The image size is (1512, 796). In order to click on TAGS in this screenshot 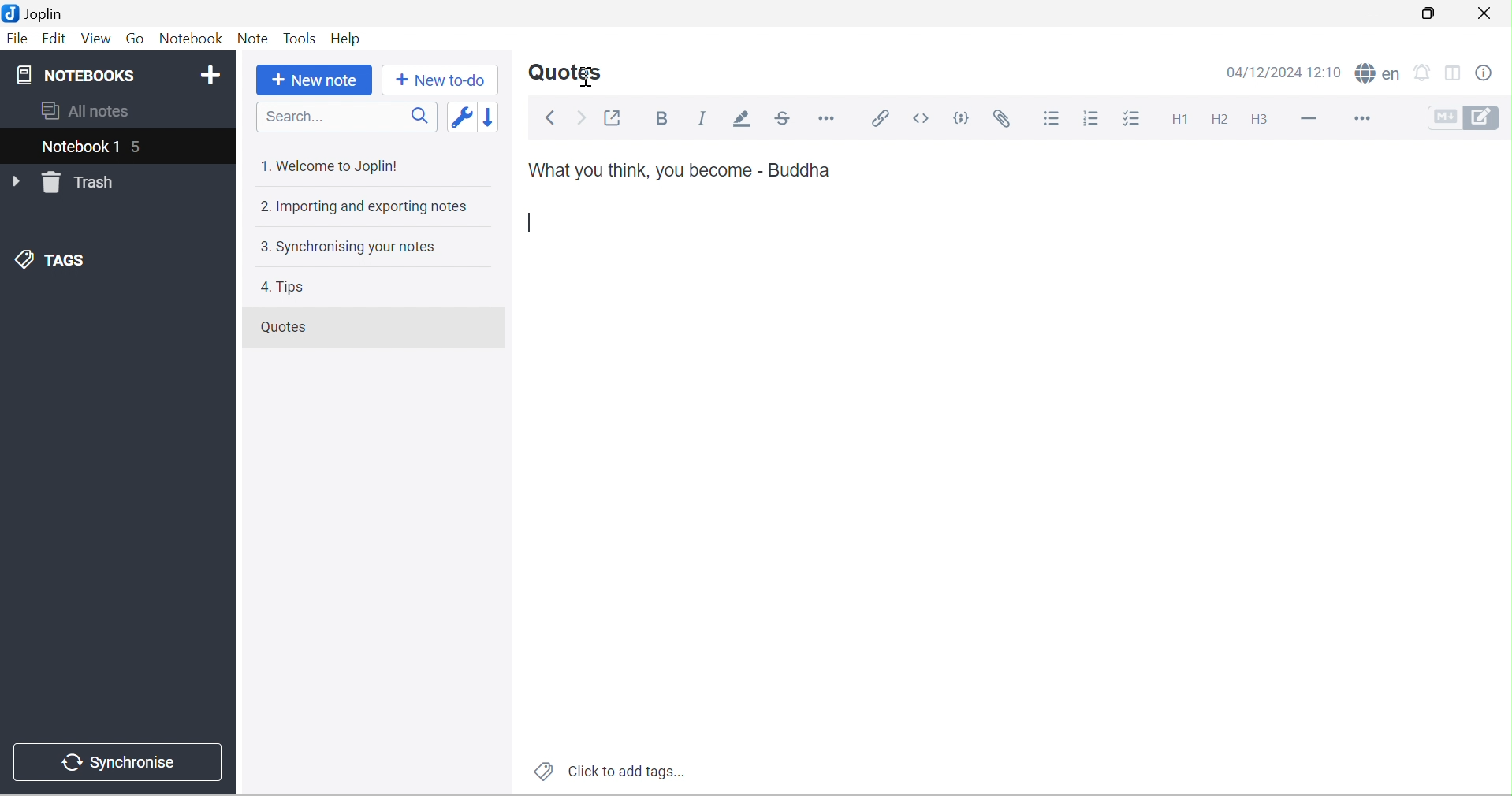, I will do `click(54, 259)`.